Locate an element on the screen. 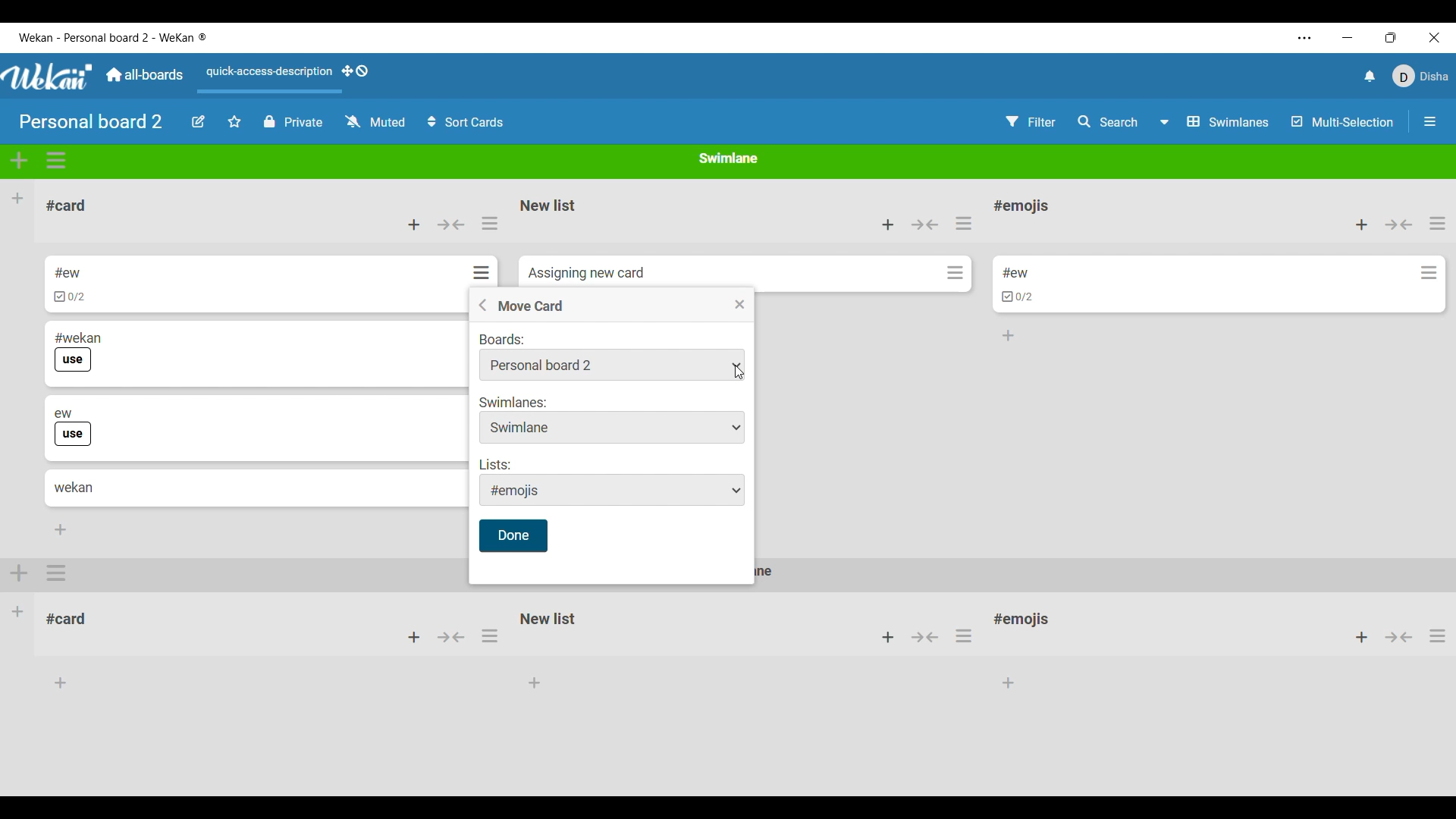  Close menu is located at coordinates (740, 304).